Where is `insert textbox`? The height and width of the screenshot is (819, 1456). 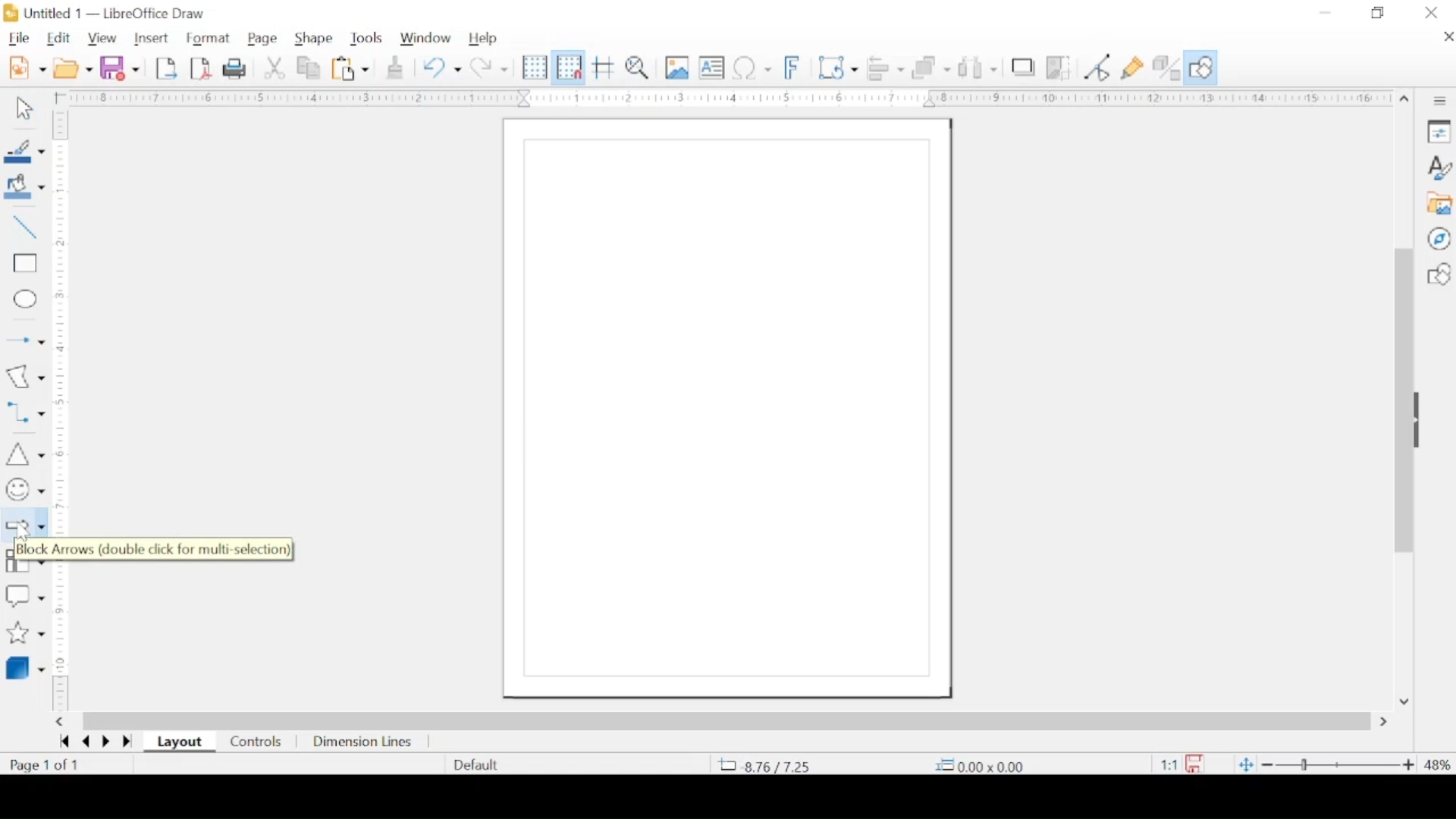
insert textbox is located at coordinates (711, 67).